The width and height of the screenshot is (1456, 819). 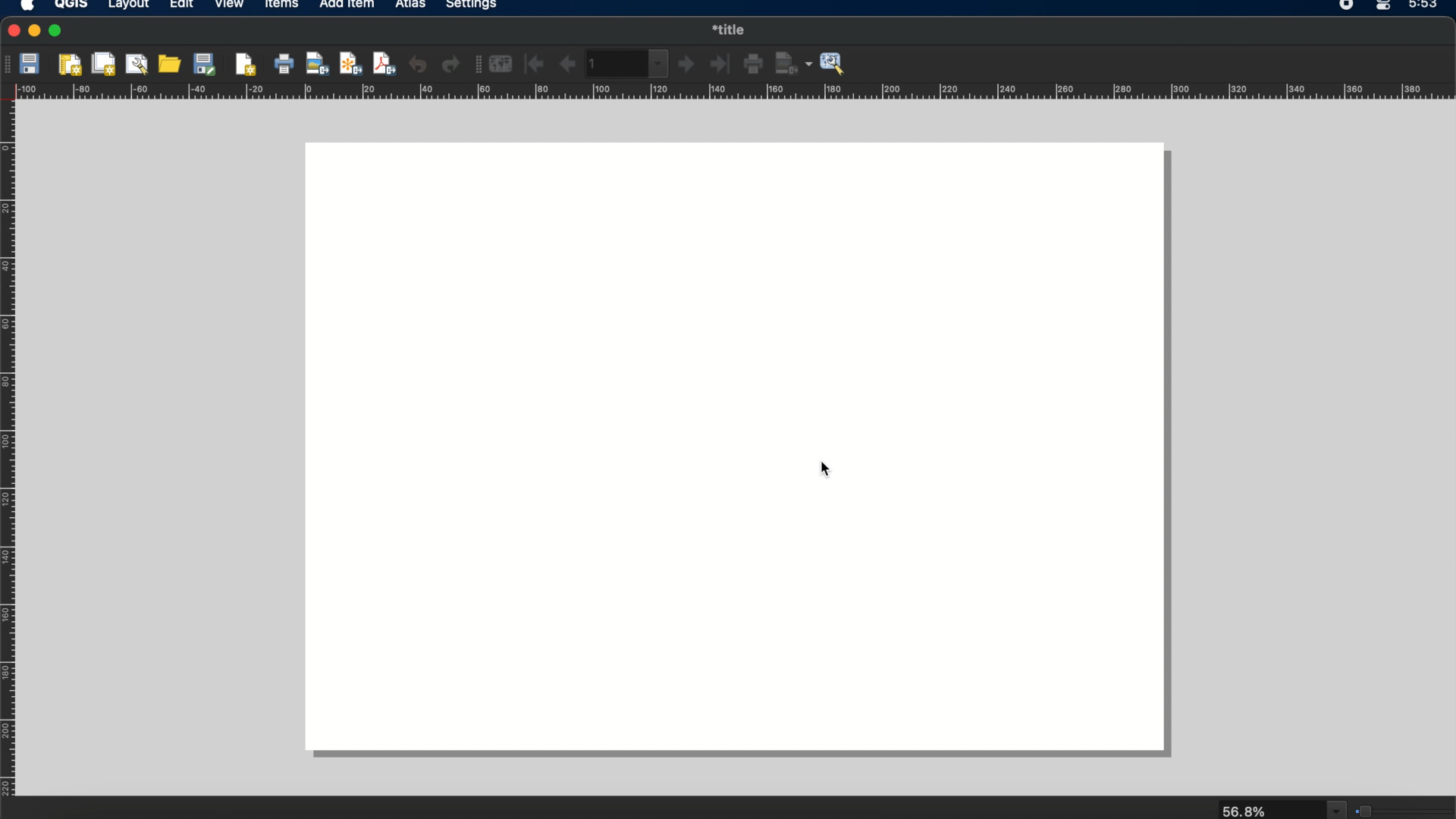 What do you see at coordinates (316, 61) in the screenshot?
I see `export as image` at bounding box center [316, 61].